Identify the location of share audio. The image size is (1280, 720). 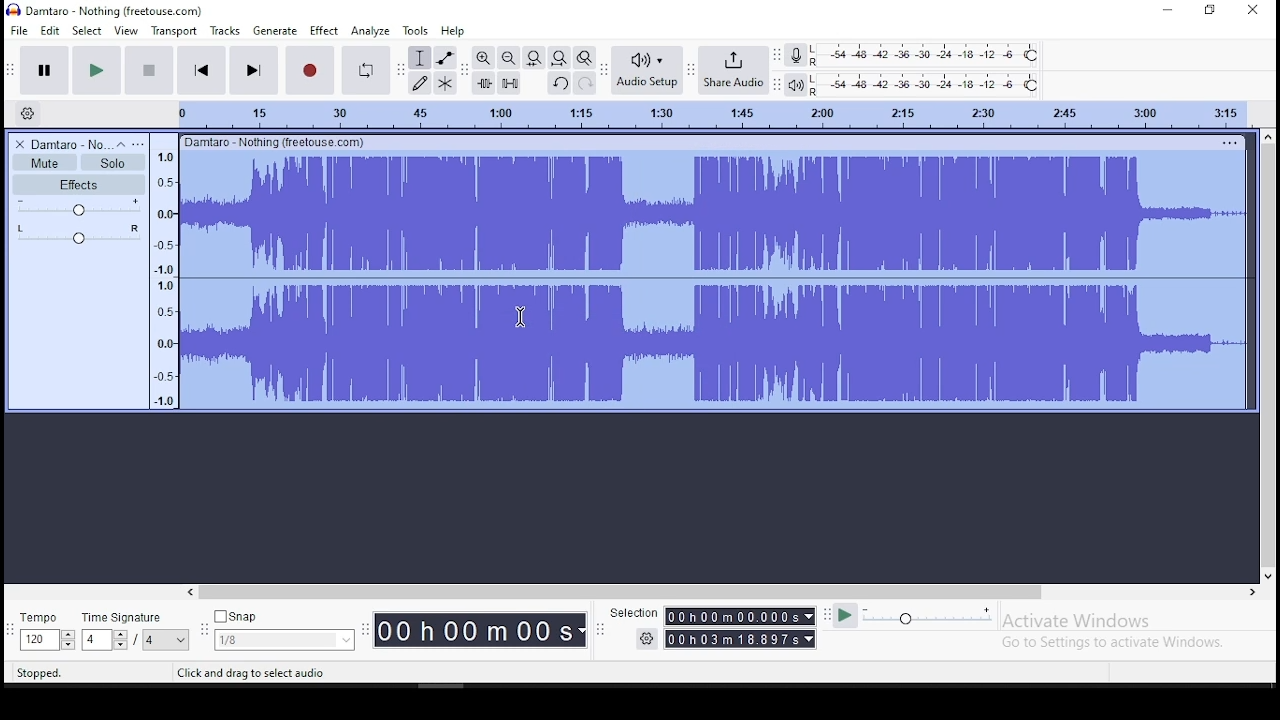
(732, 72).